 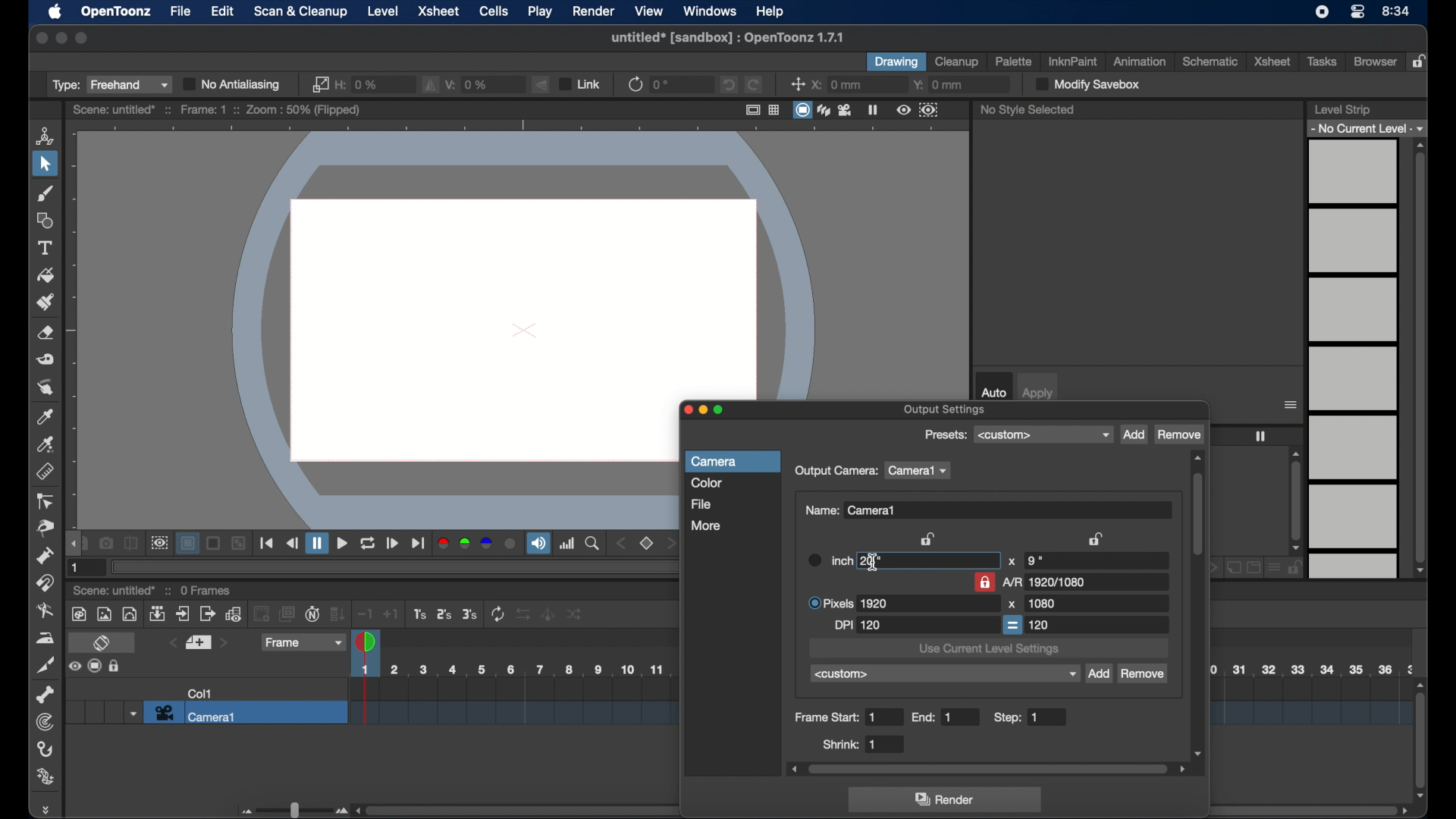 What do you see at coordinates (930, 538) in the screenshot?
I see `lock` at bounding box center [930, 538].